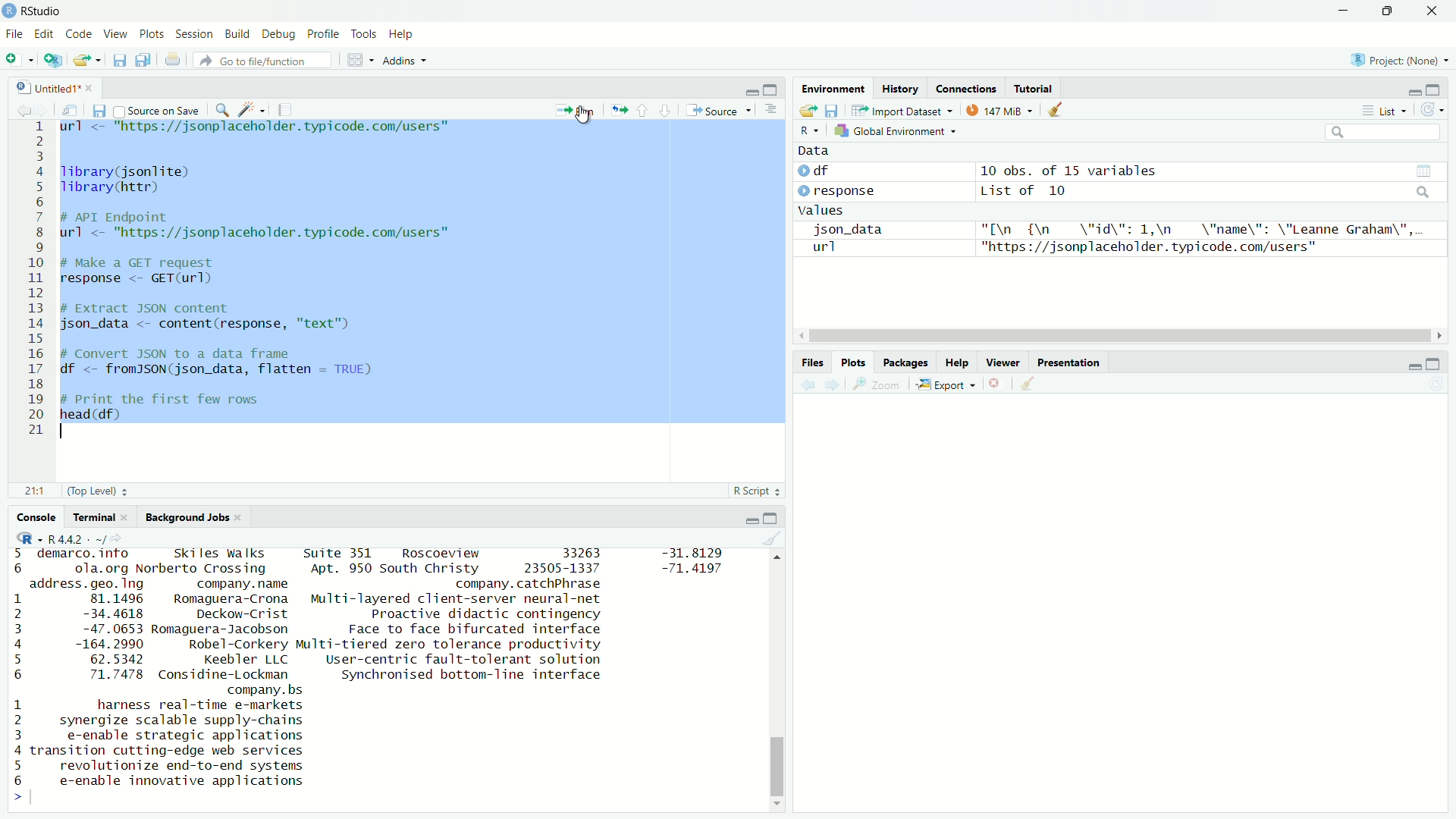 The height and width of the screenshot is (819, 1456). I want to click on New file, so click(20, 59).